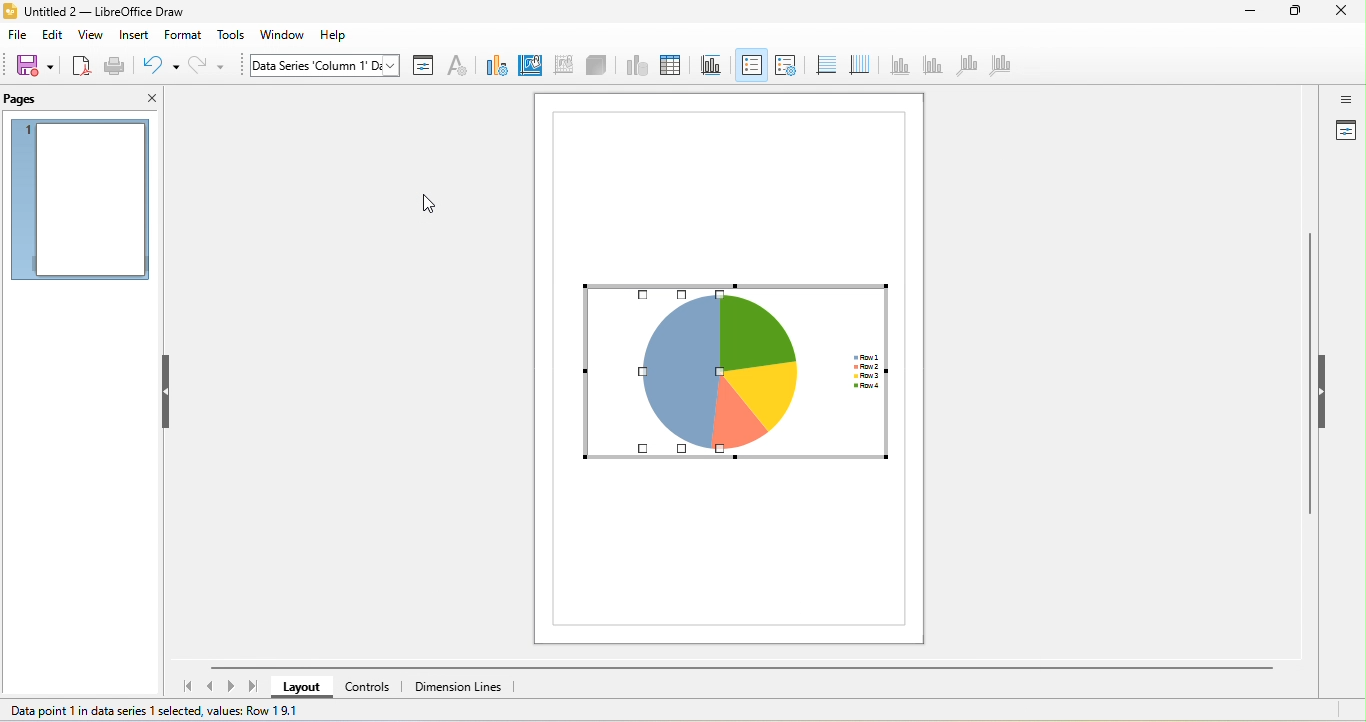  I want to click on horizontal grid, so click(824, 65).